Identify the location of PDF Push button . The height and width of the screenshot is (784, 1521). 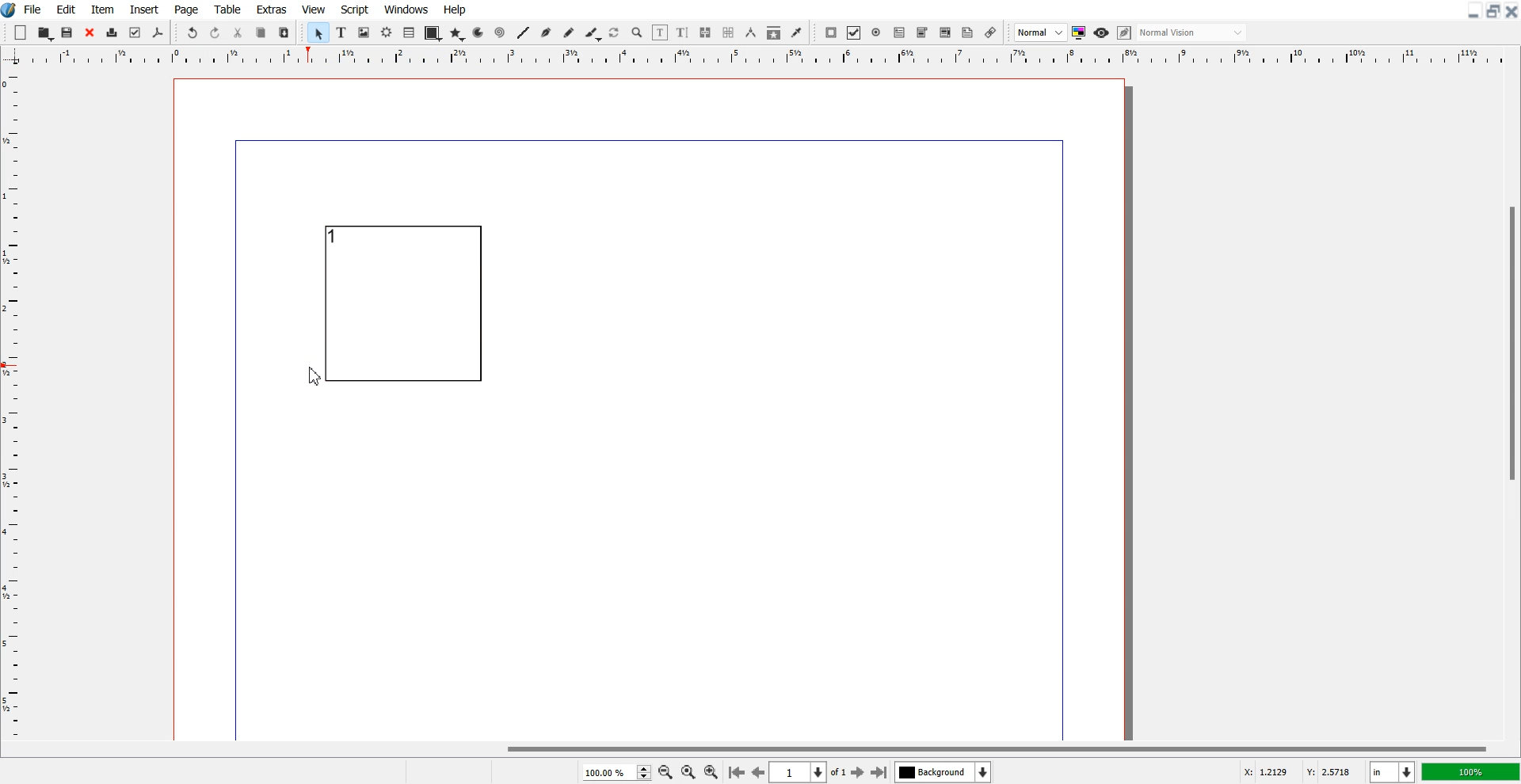
(830, 32).